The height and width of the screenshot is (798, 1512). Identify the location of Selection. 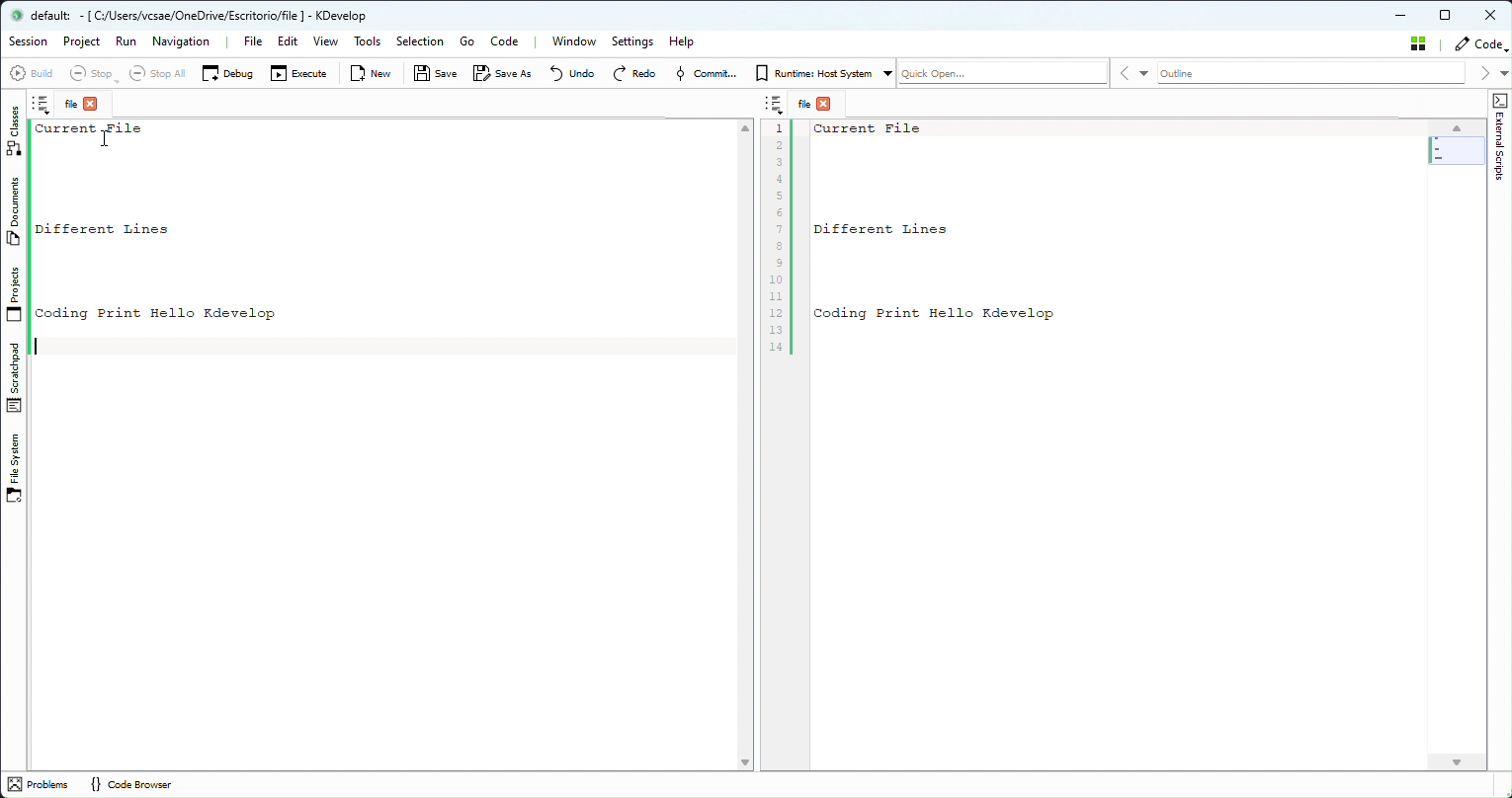
(419, 42).